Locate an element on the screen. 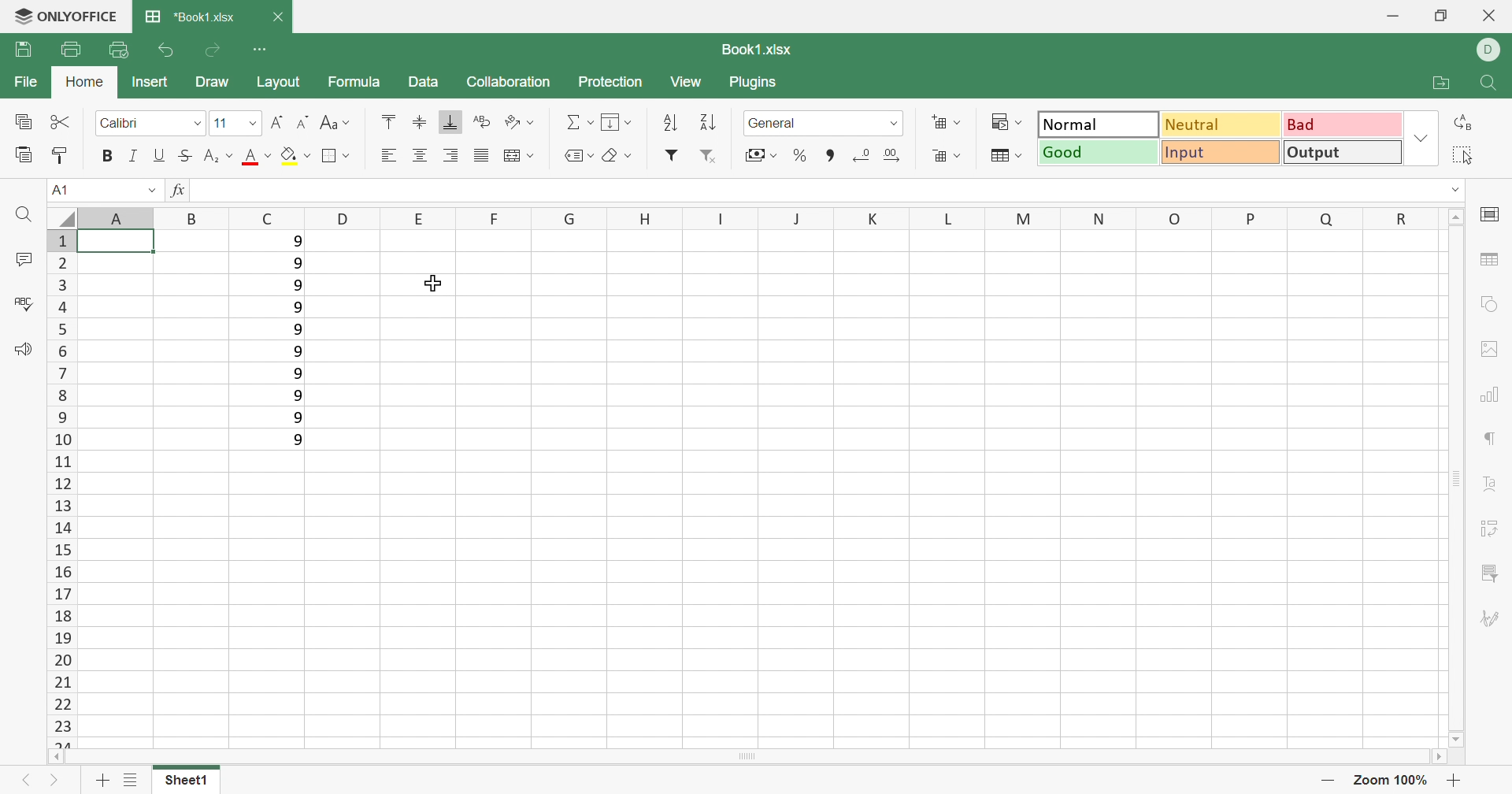  Collaboration is located at coordinates (511, 85).